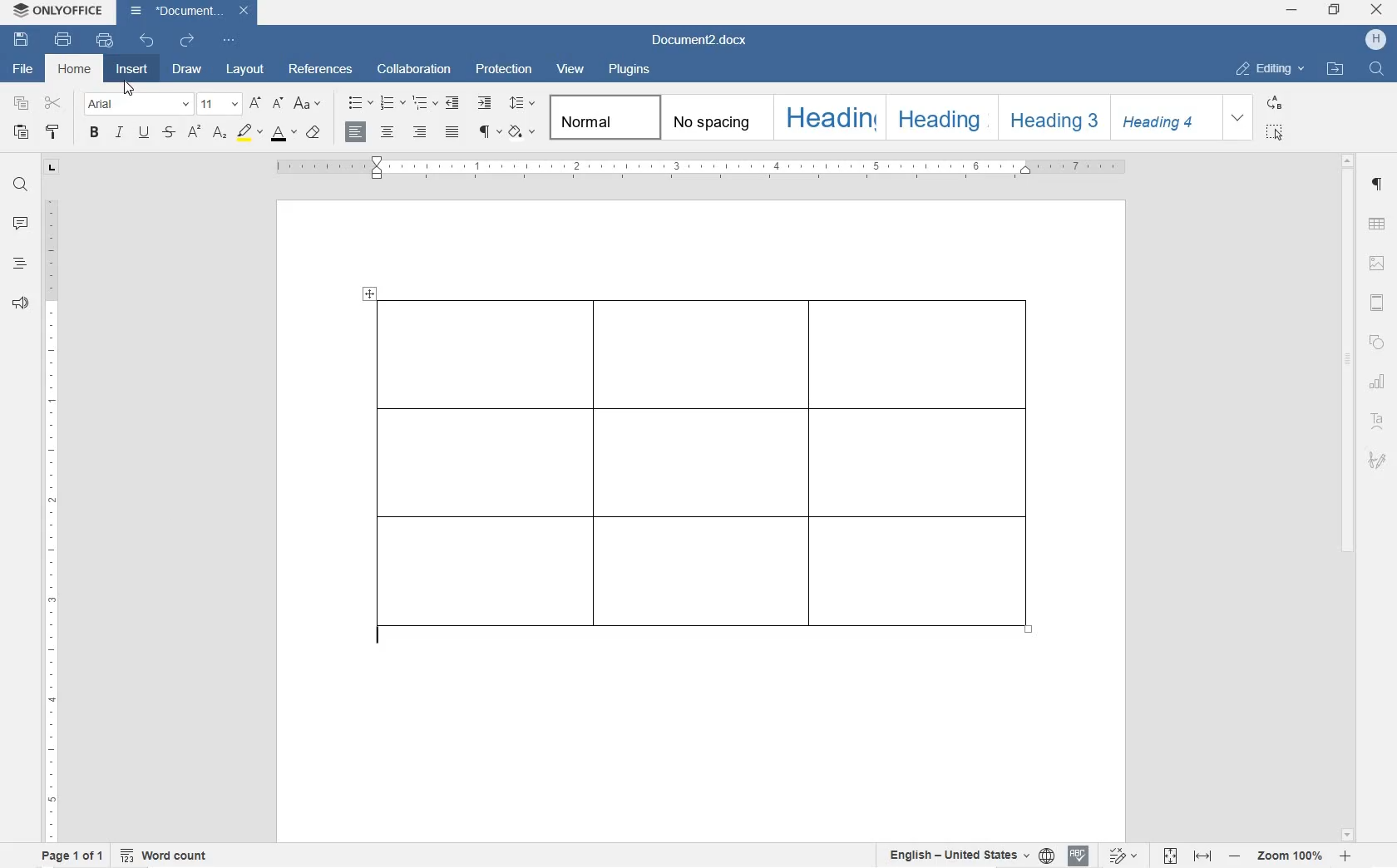  Describe the element at coordinates (1291, 856) in the screenshot. I see `zoom in or out` at that location.